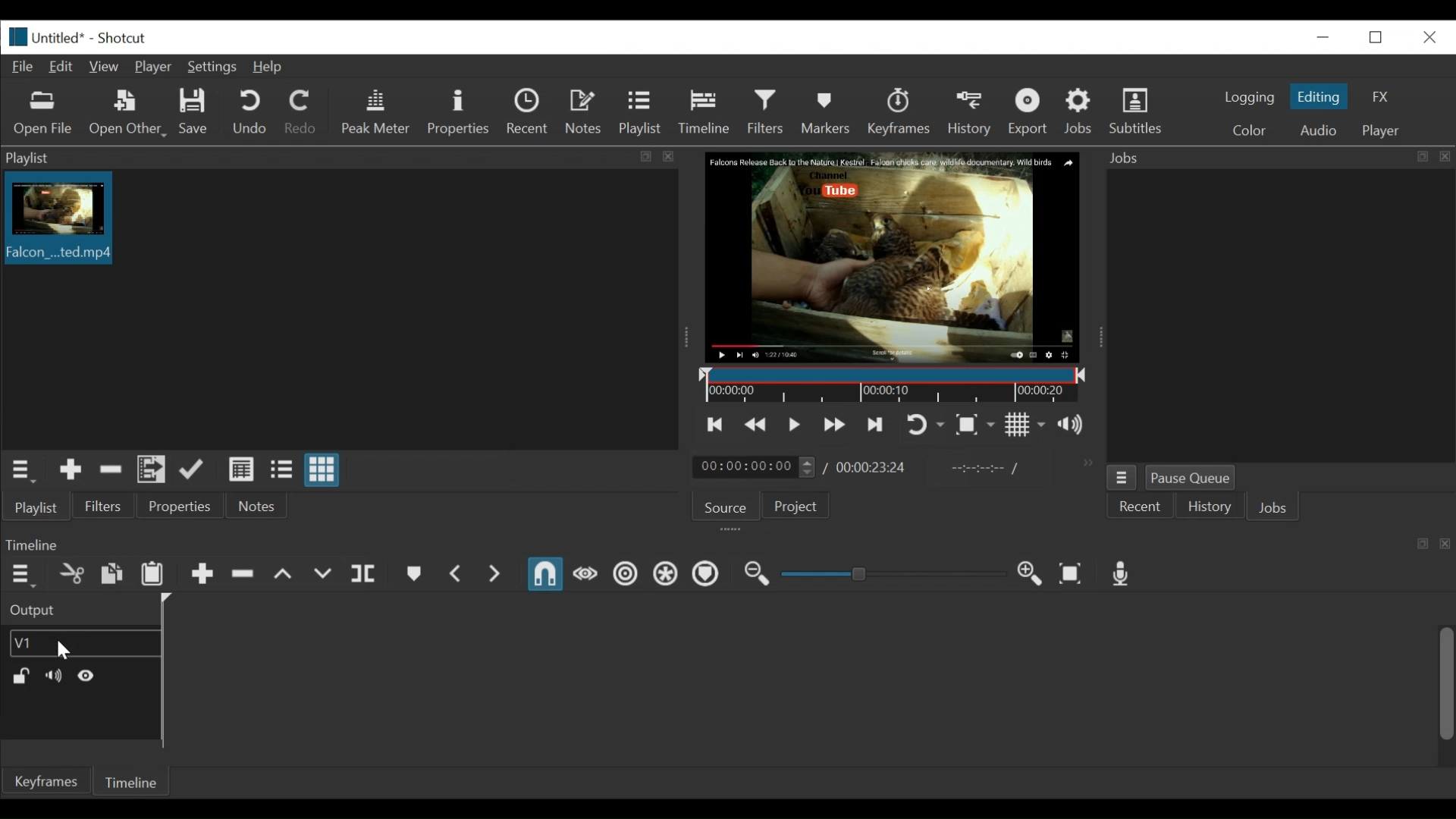 This screenshot has height=819, width=1456. What do you see at coordinates (1032, 575) in the screenshot?
I see `Zoom Timeline in` at bounding box center [1032, 575].